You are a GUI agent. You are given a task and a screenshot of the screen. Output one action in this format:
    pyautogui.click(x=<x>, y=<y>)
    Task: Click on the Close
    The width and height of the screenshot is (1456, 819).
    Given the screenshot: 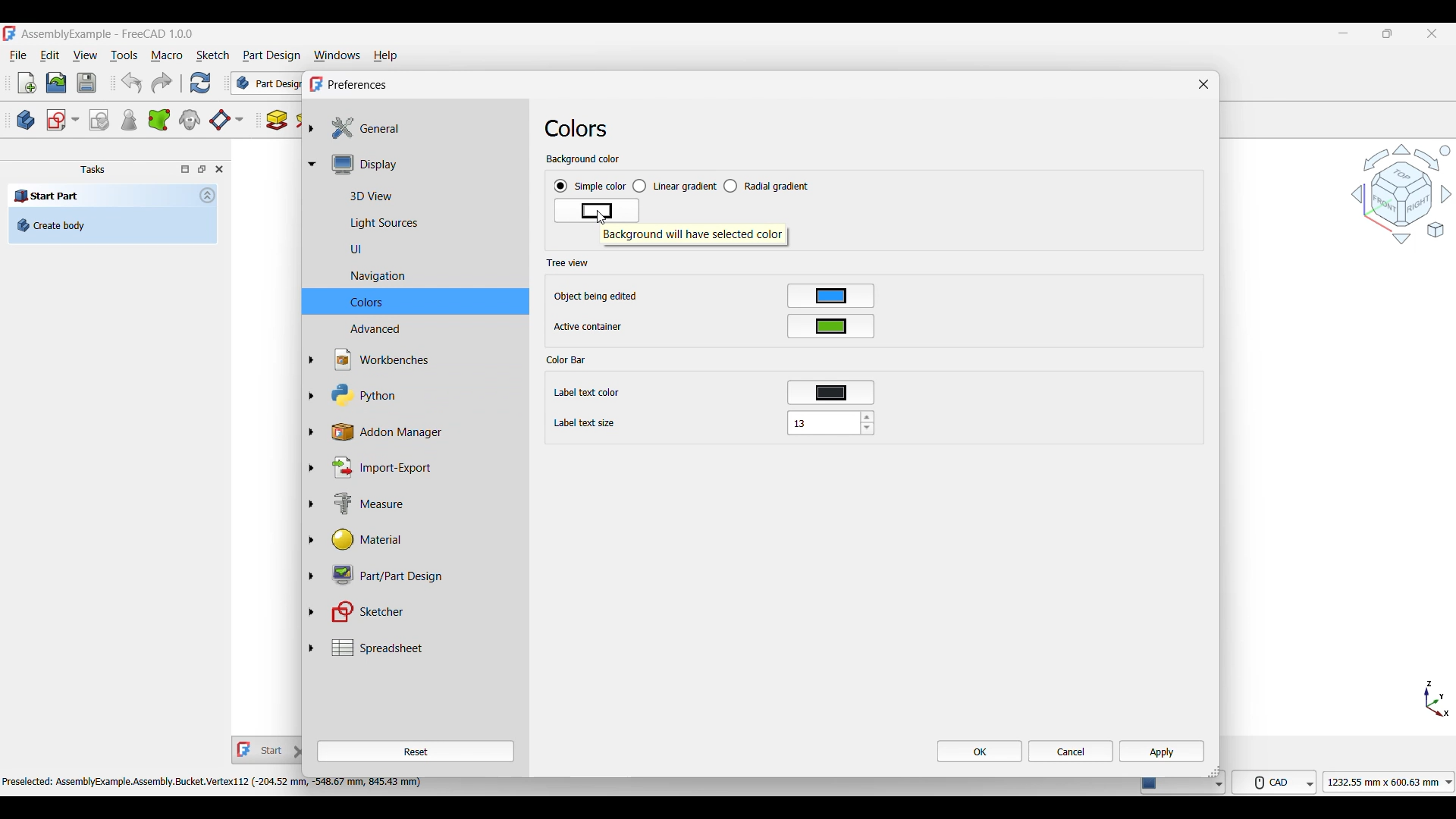 What is the action you would take?
    pyautogui.click(x=1203, y=84)
    